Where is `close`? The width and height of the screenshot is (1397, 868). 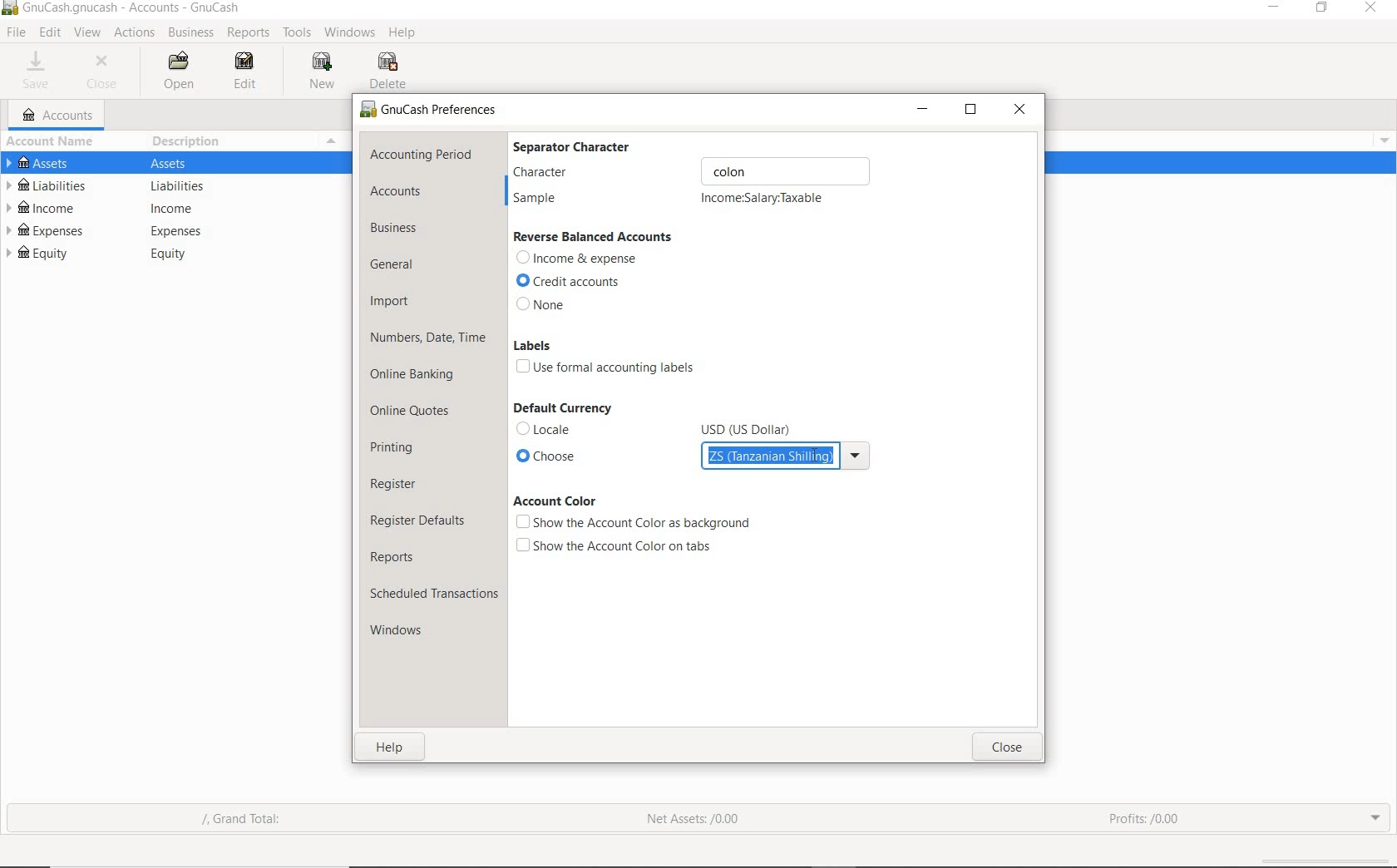
close is located at coordinates (1373, 9).